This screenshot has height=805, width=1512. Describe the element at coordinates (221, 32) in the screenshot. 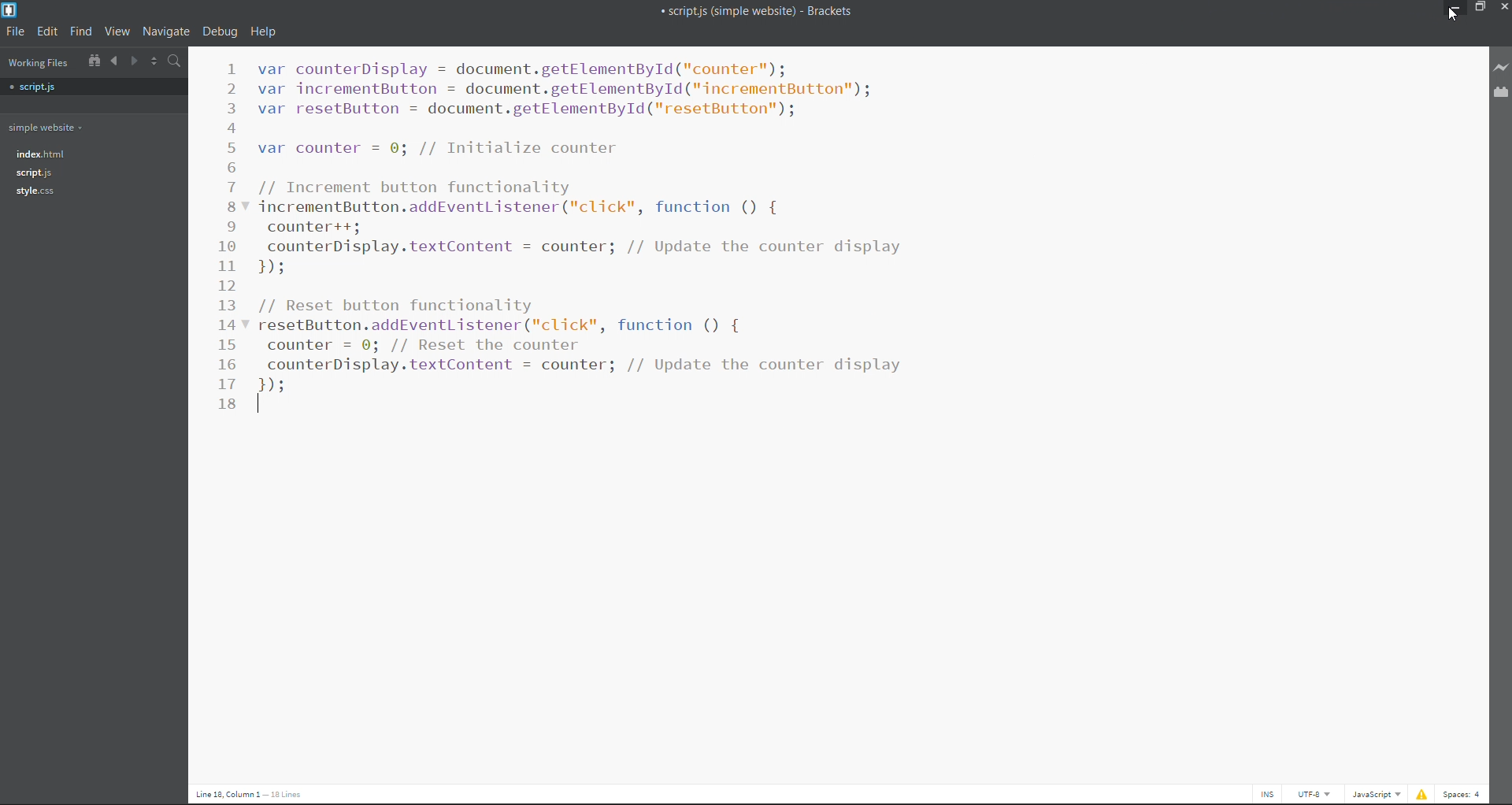

I see `debug` at that location.